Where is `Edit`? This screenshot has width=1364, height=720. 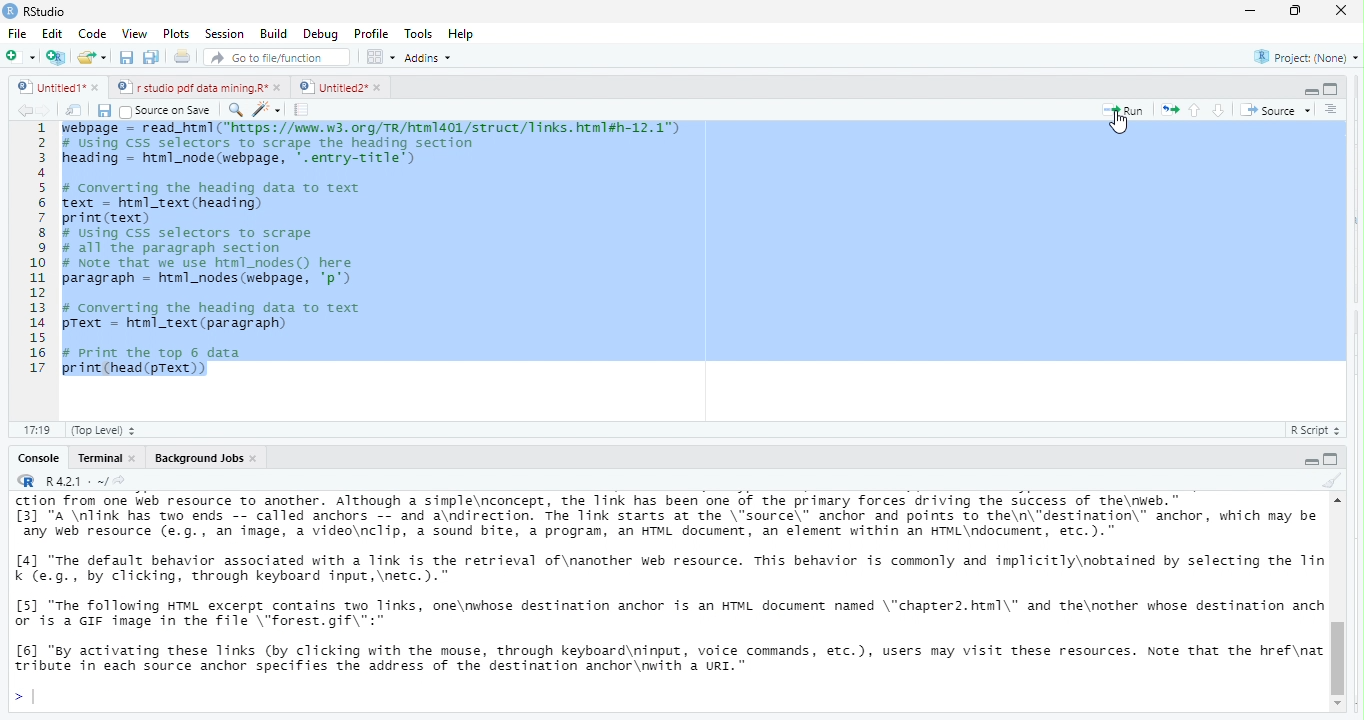
Edit is located at coordinates (53, 33).